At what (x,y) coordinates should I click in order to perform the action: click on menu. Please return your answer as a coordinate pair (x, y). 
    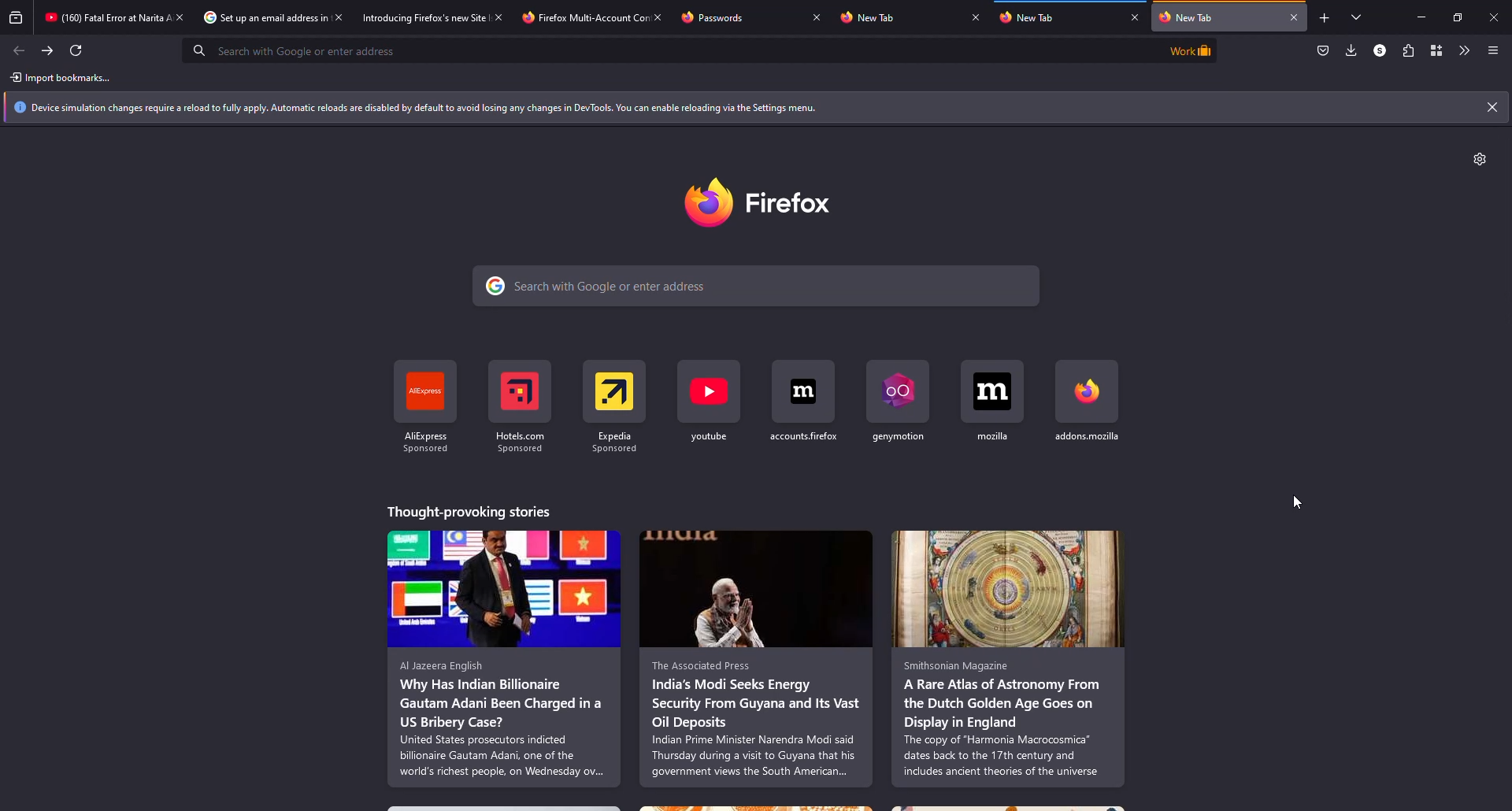
    Looking at the image, I should click on (1493, 51).